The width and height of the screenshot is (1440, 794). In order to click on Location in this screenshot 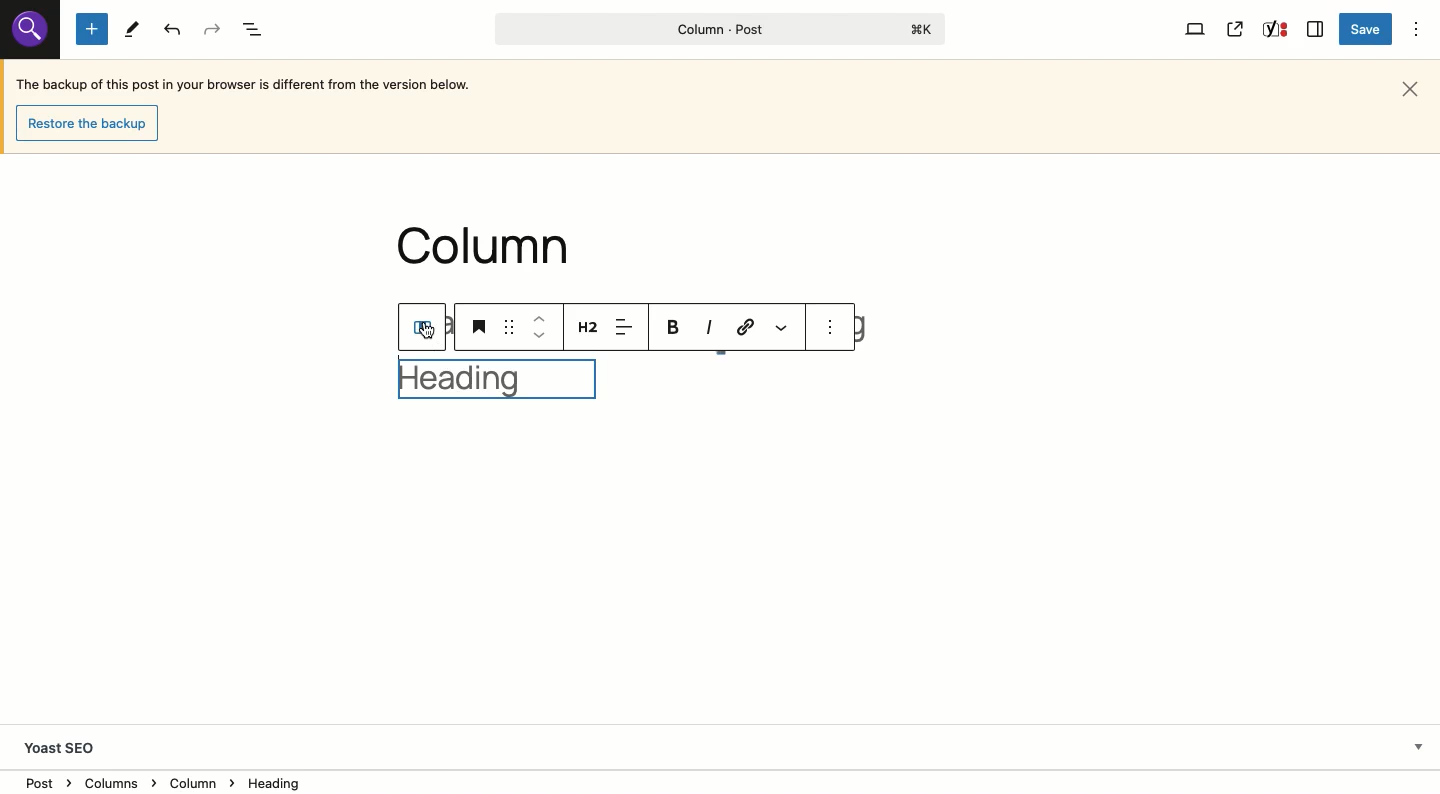, I will do `click(722, 782)`.